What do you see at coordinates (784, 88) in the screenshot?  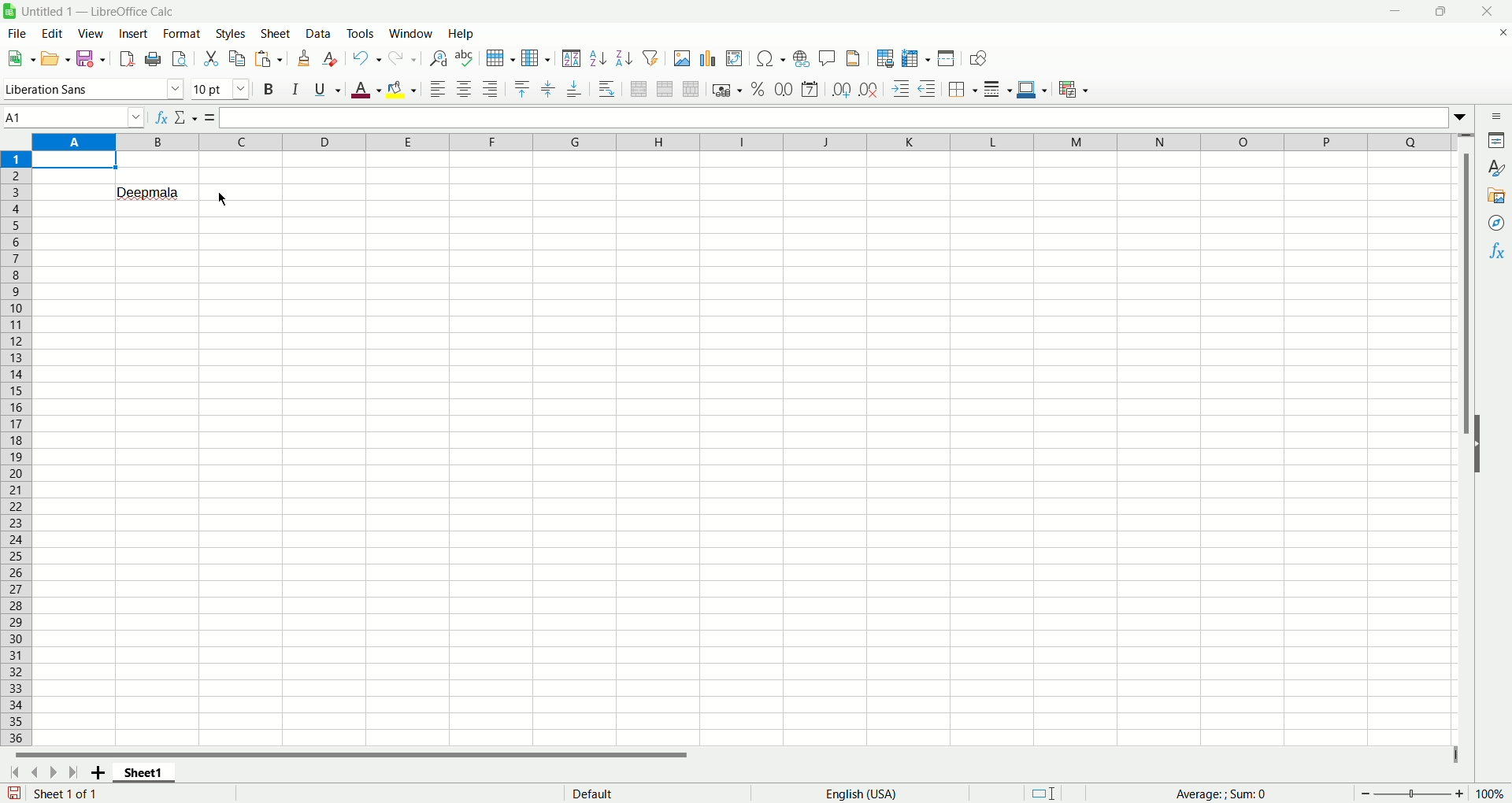 I see `Format as number` at bounding box center [784, 88].